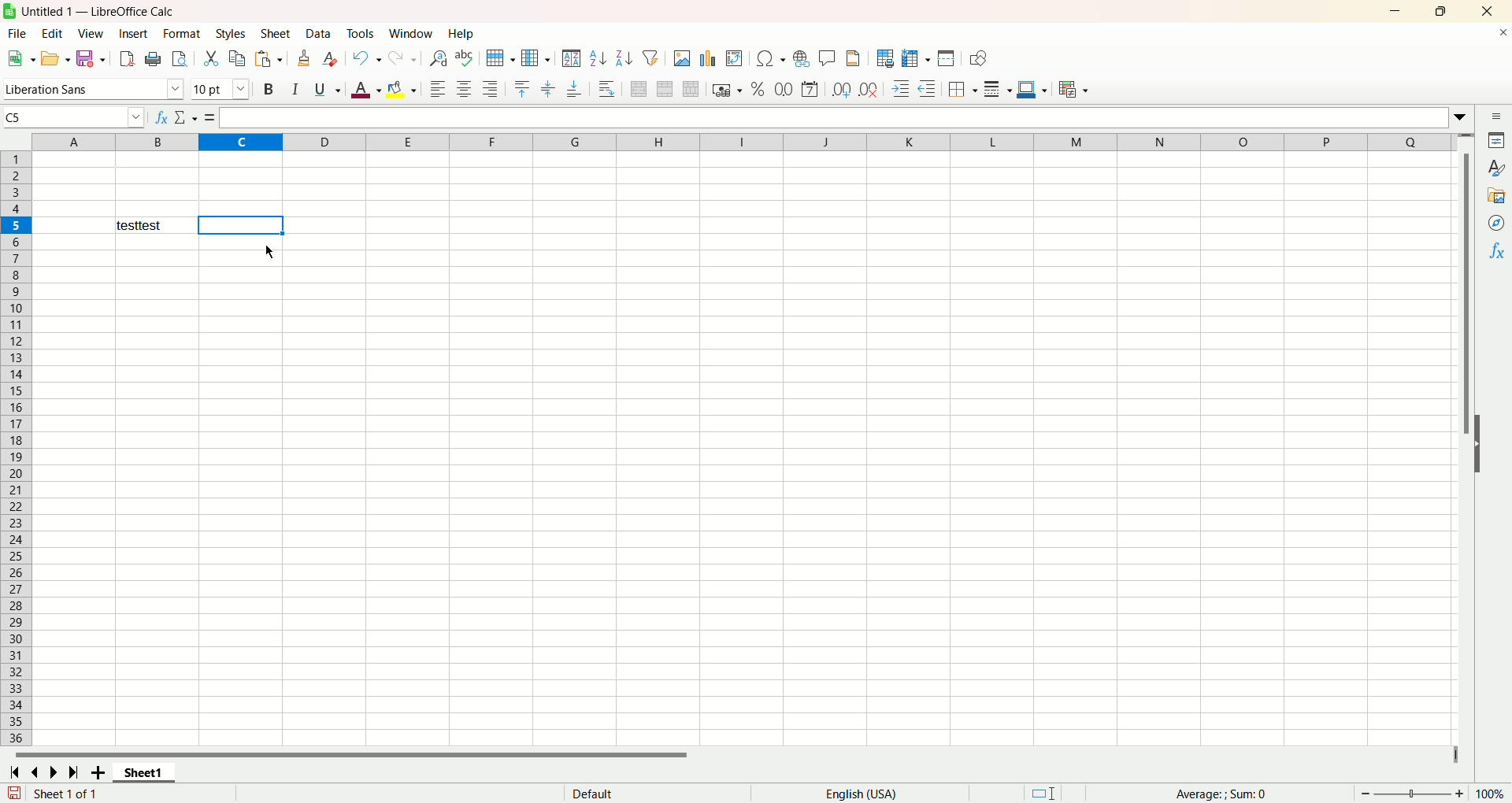 The height and width of the screenshot is (803, 1512). Describe the element at coordinates (21, 58) in the screenshot. I see `new` at that location.